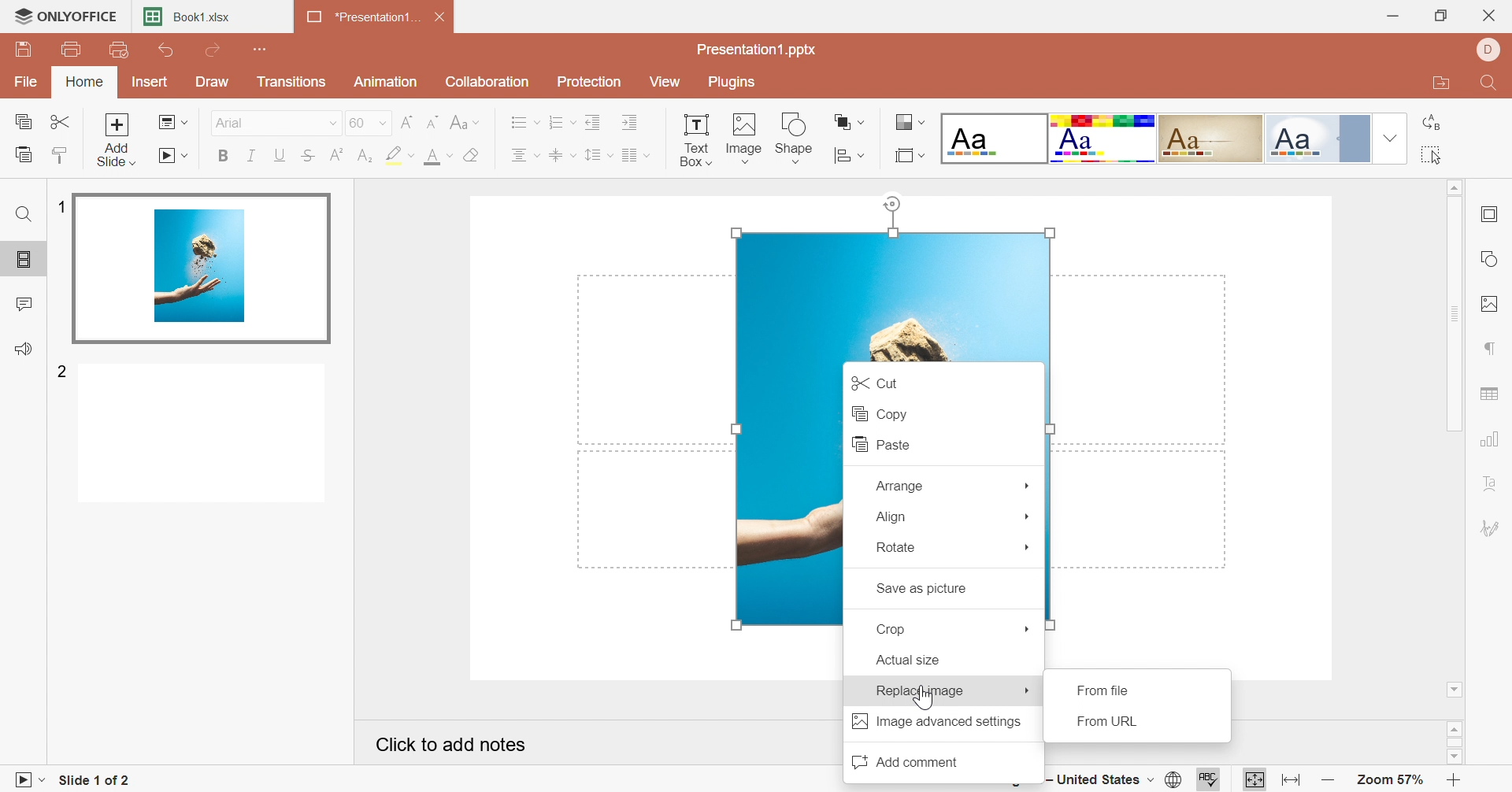 The height and width of the screenshot is (792, 1512). Describe the element at coordinates (465, 120) in the screenshot. I see `Change case` at that location.